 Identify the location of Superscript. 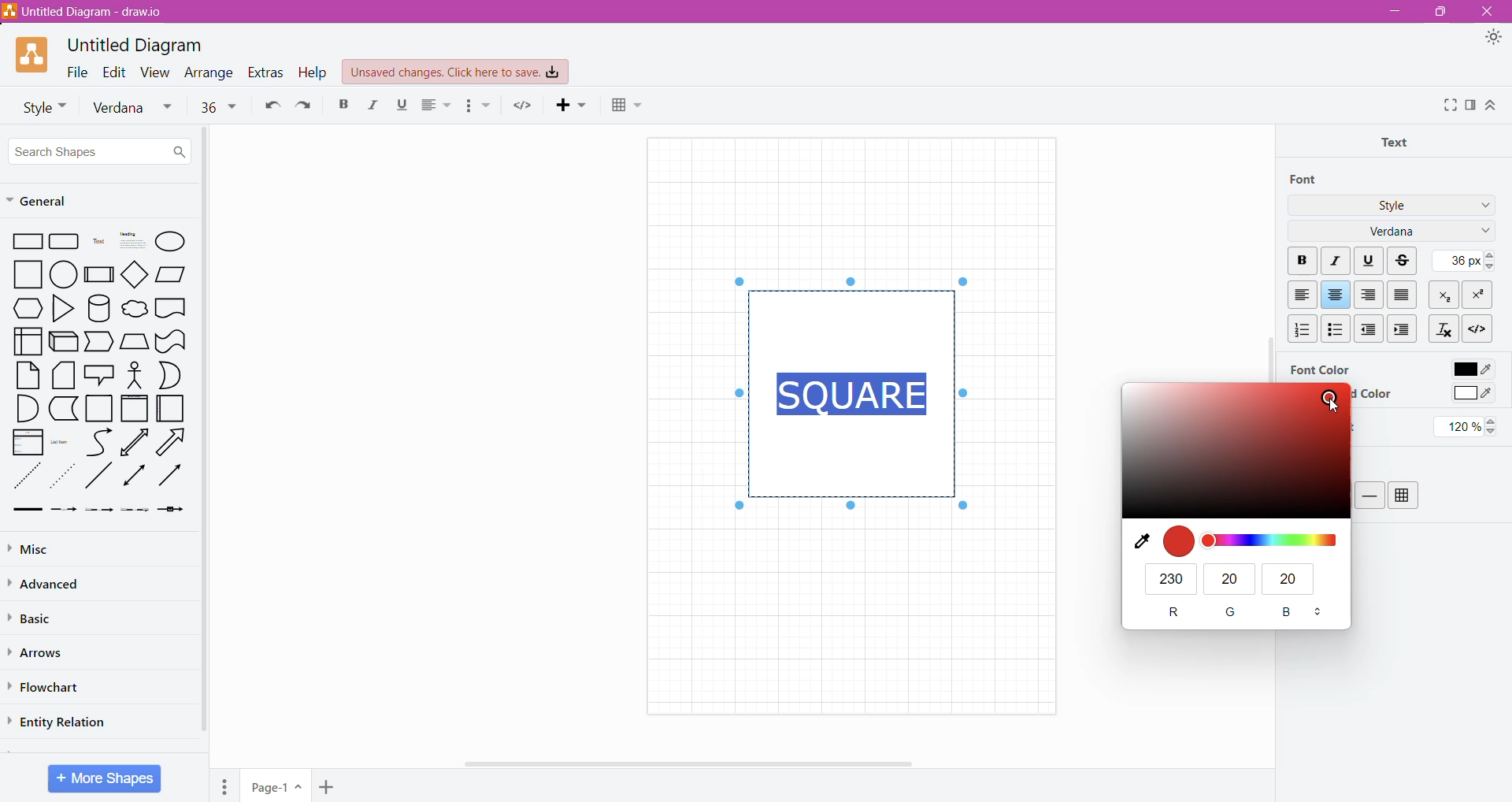
(1477, 295).